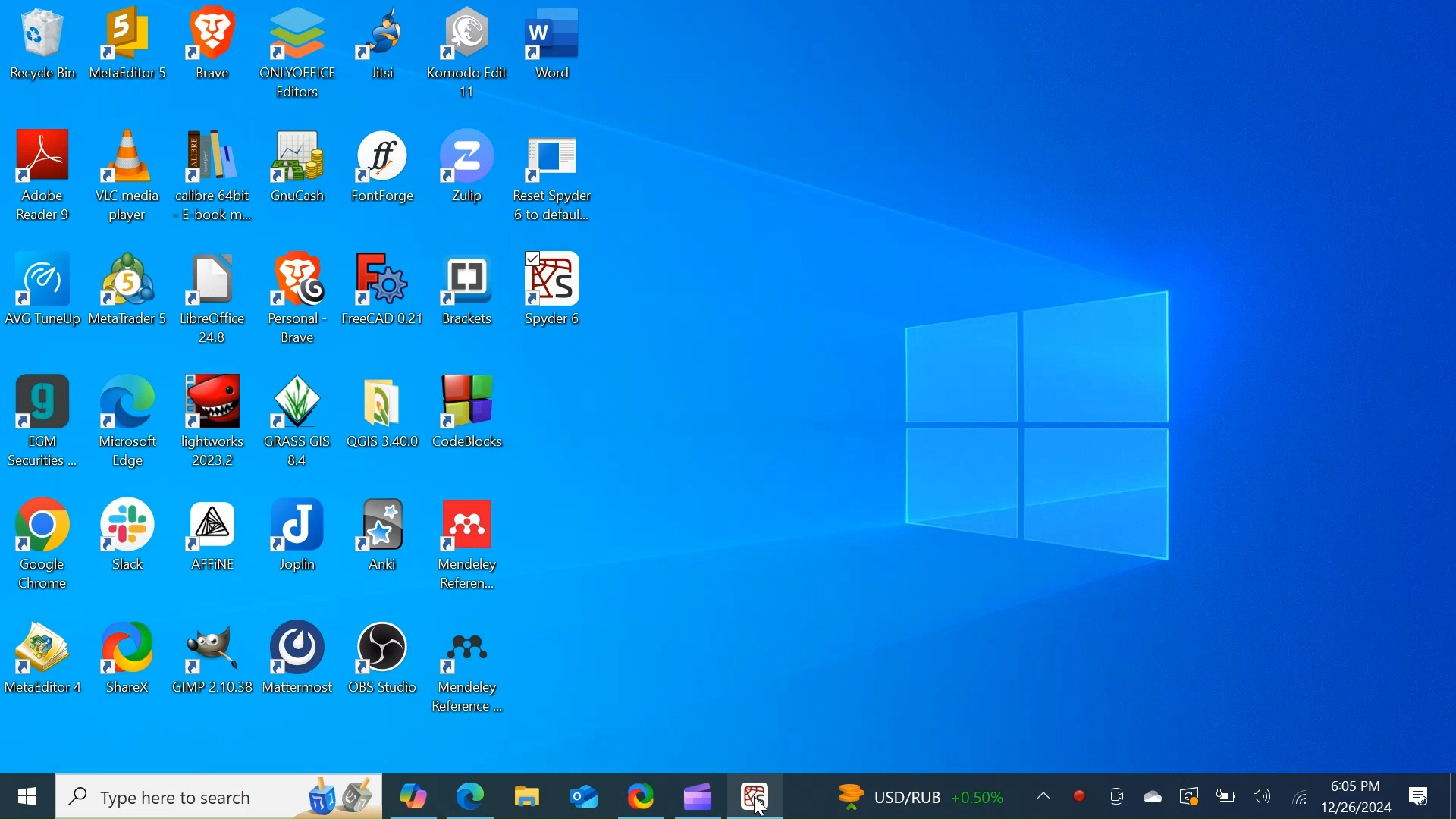  I want to click on Anki Desktop Icon, so click(384, 545).